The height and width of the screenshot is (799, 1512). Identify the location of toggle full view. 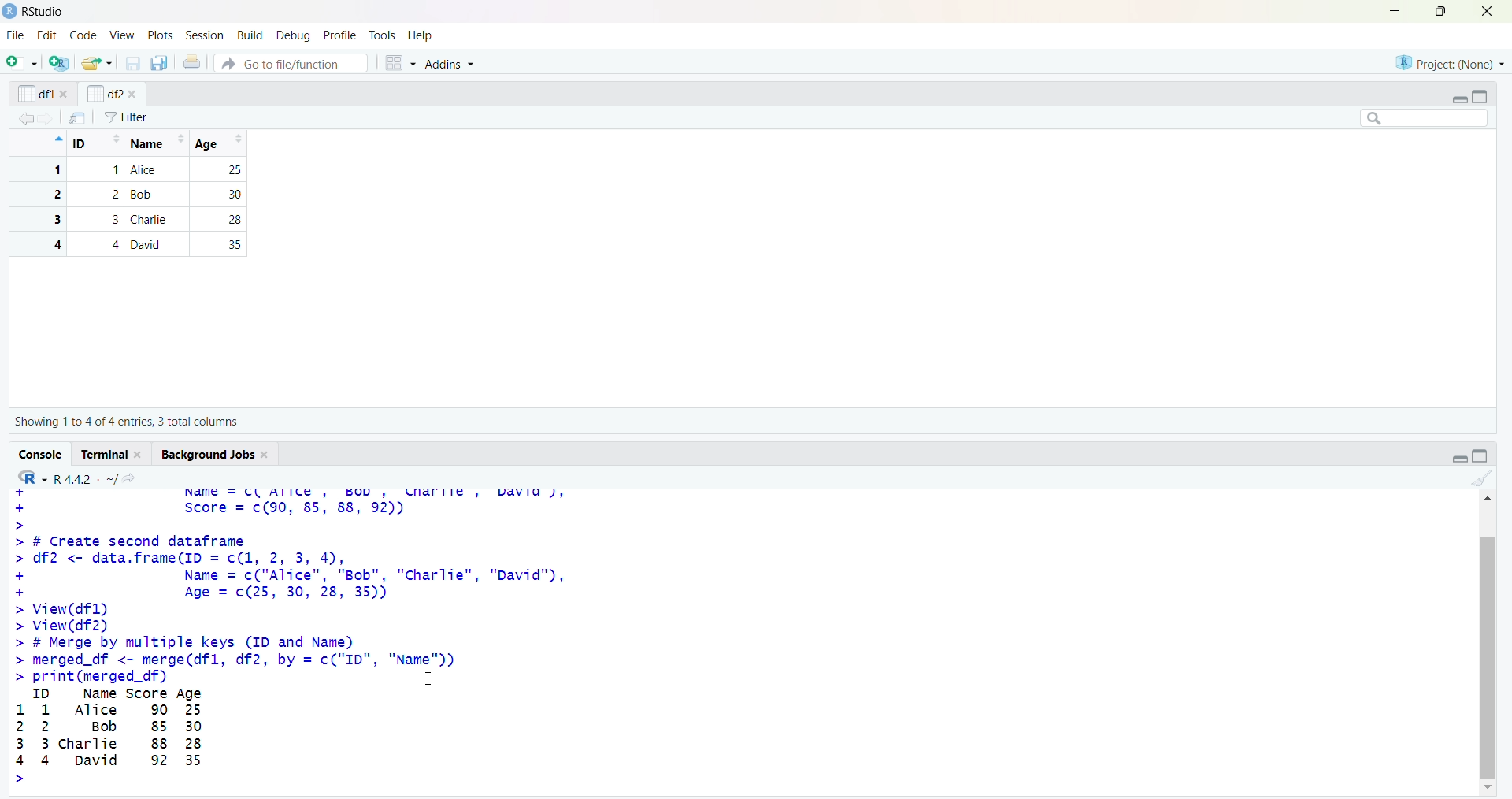
(1479, 97).